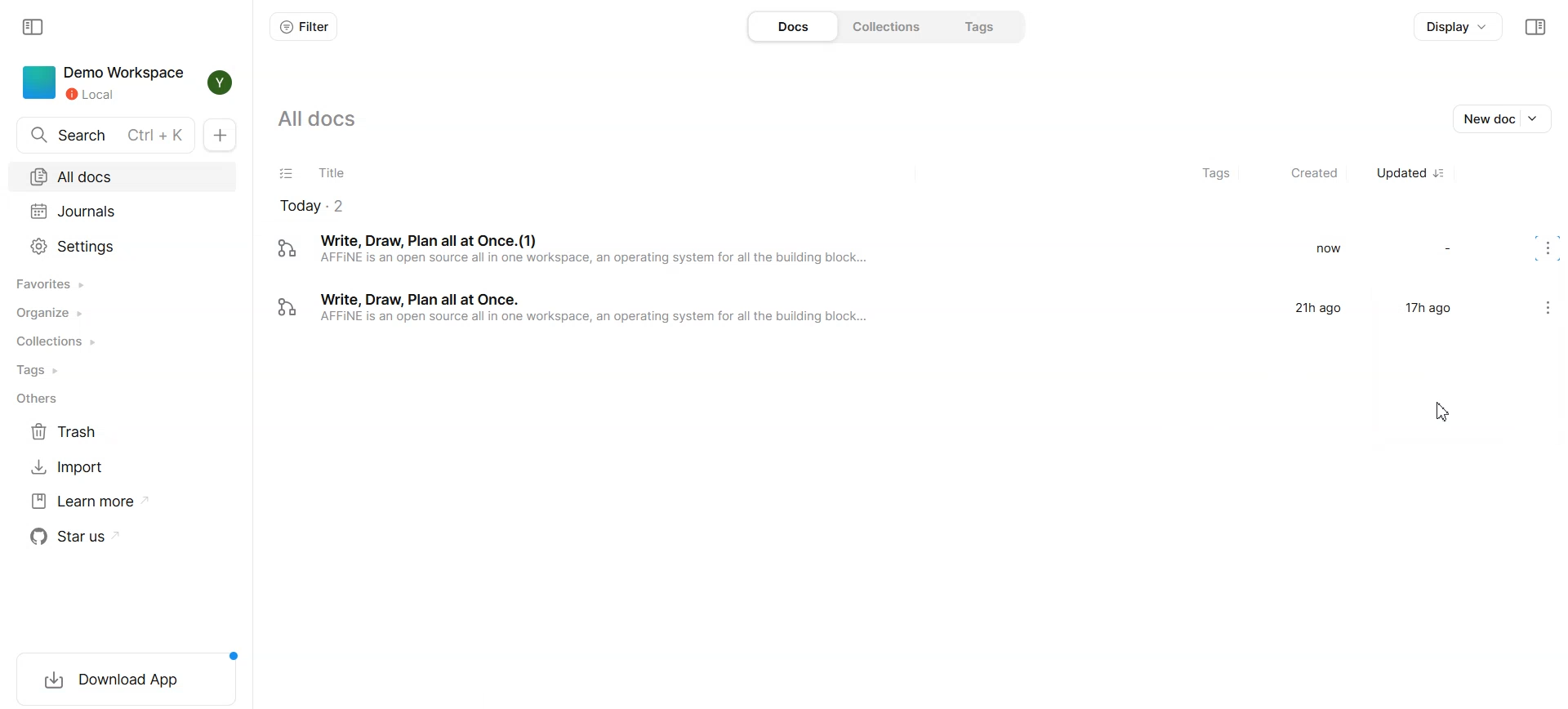 This screenshot has height=709, width=1568. Describe the element at coordinates (1206, 173) in the screenshot. I see `Tags` at that location.